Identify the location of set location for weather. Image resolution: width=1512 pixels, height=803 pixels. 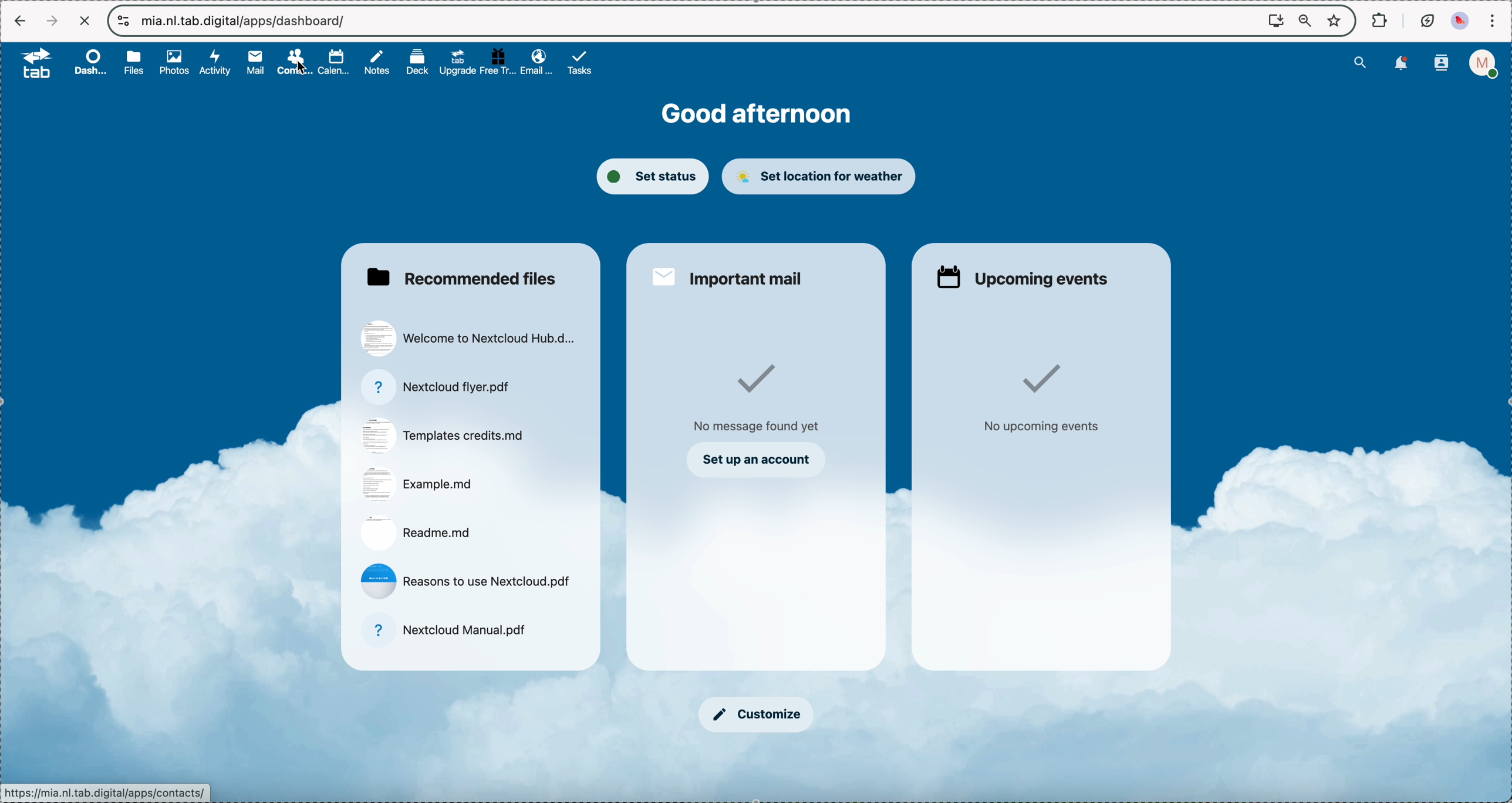
(824, 177).